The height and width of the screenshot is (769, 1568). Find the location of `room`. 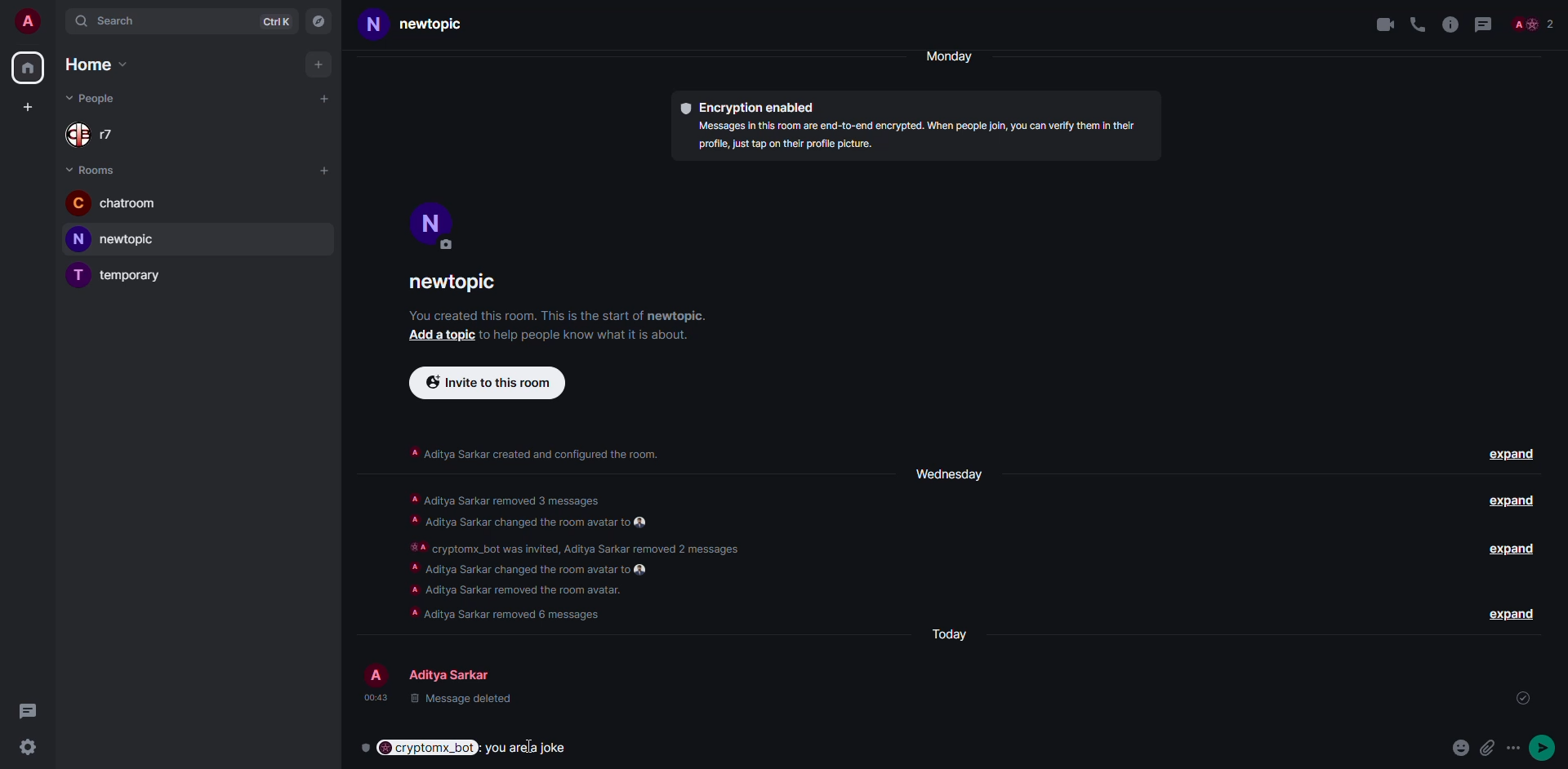

room is located at coordinates (458, 285).